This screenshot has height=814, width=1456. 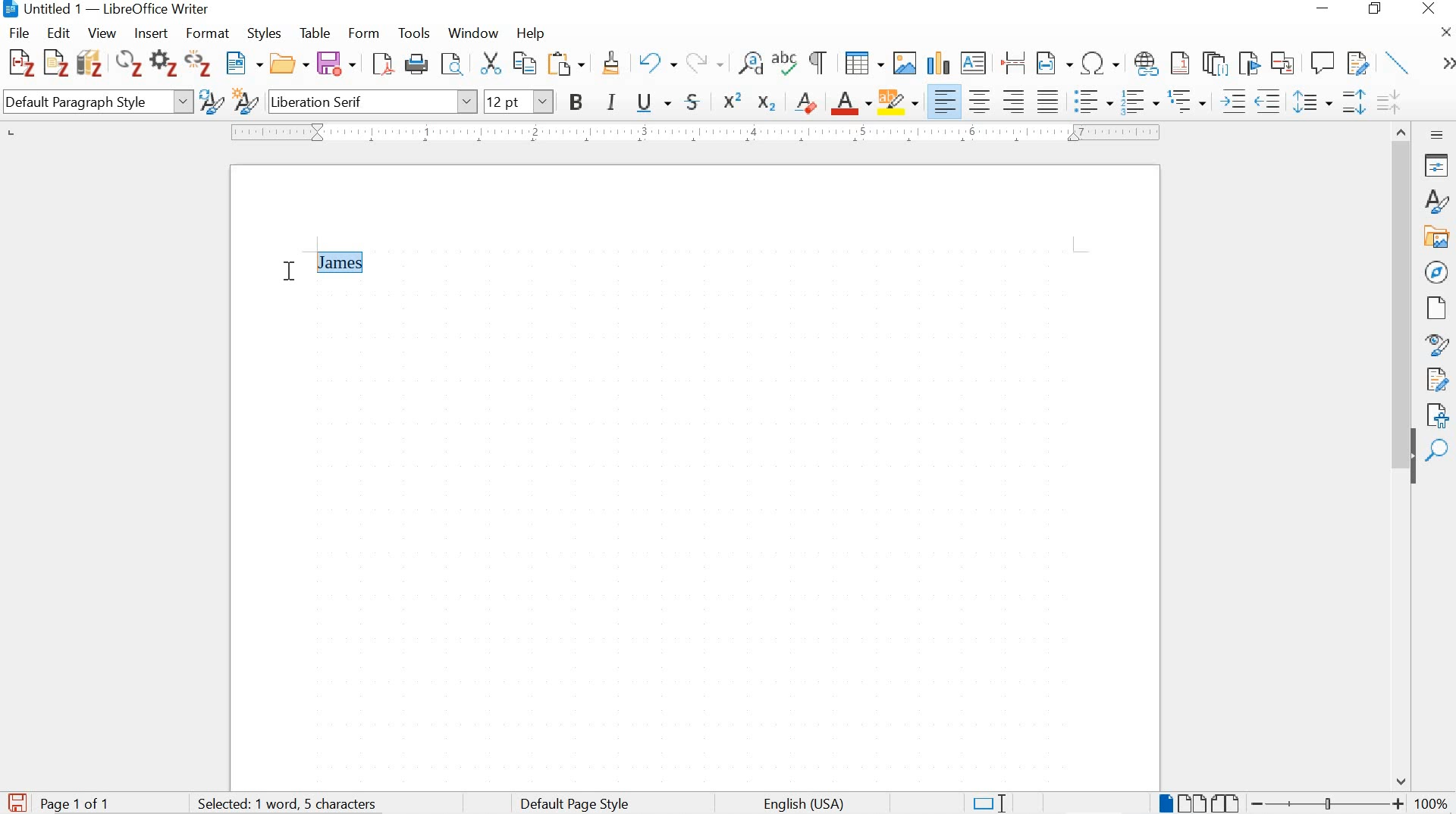 I want to click on undo, so click(x=656, y=64).